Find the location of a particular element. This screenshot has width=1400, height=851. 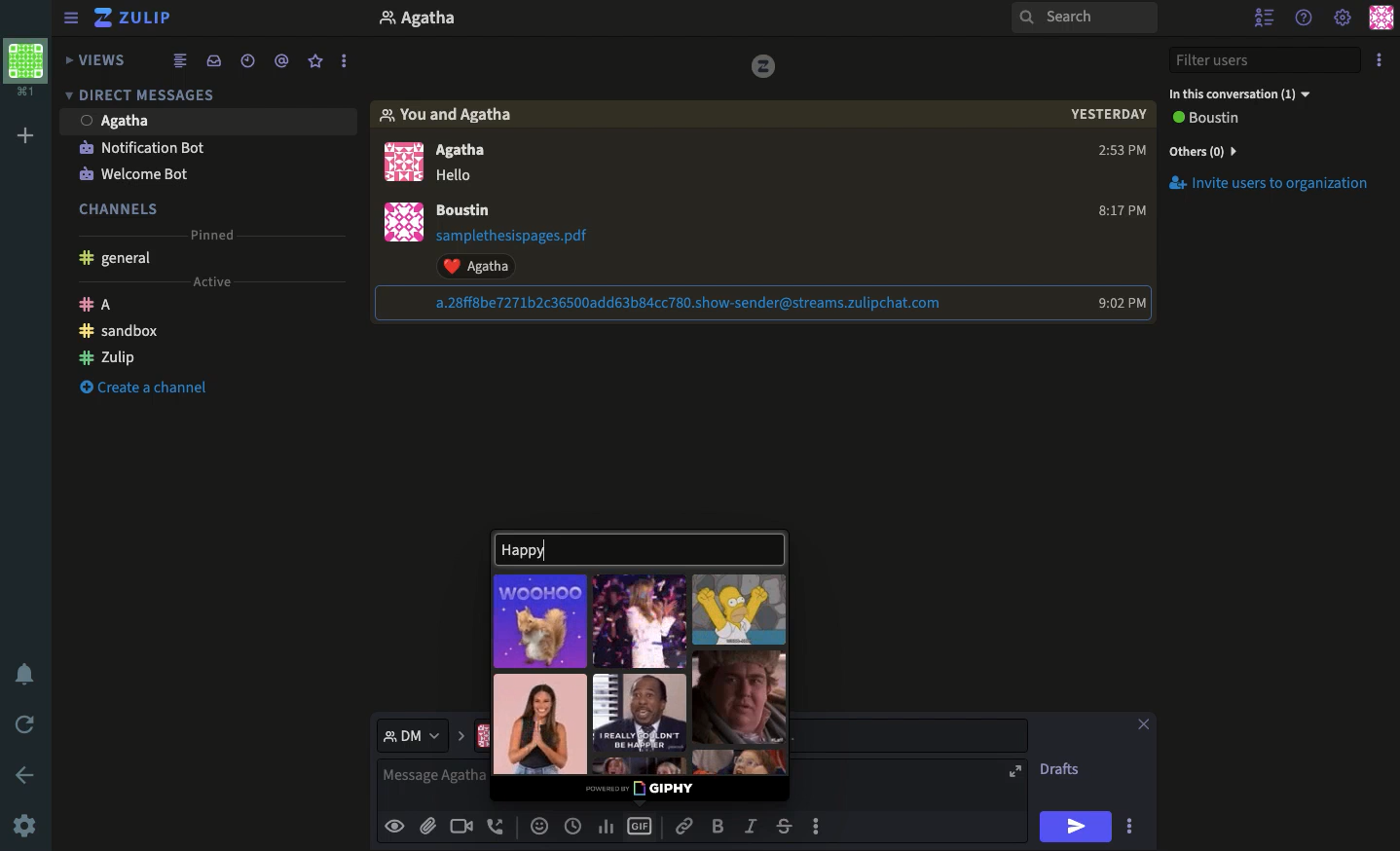

DM is located at coordinates (424, 736).